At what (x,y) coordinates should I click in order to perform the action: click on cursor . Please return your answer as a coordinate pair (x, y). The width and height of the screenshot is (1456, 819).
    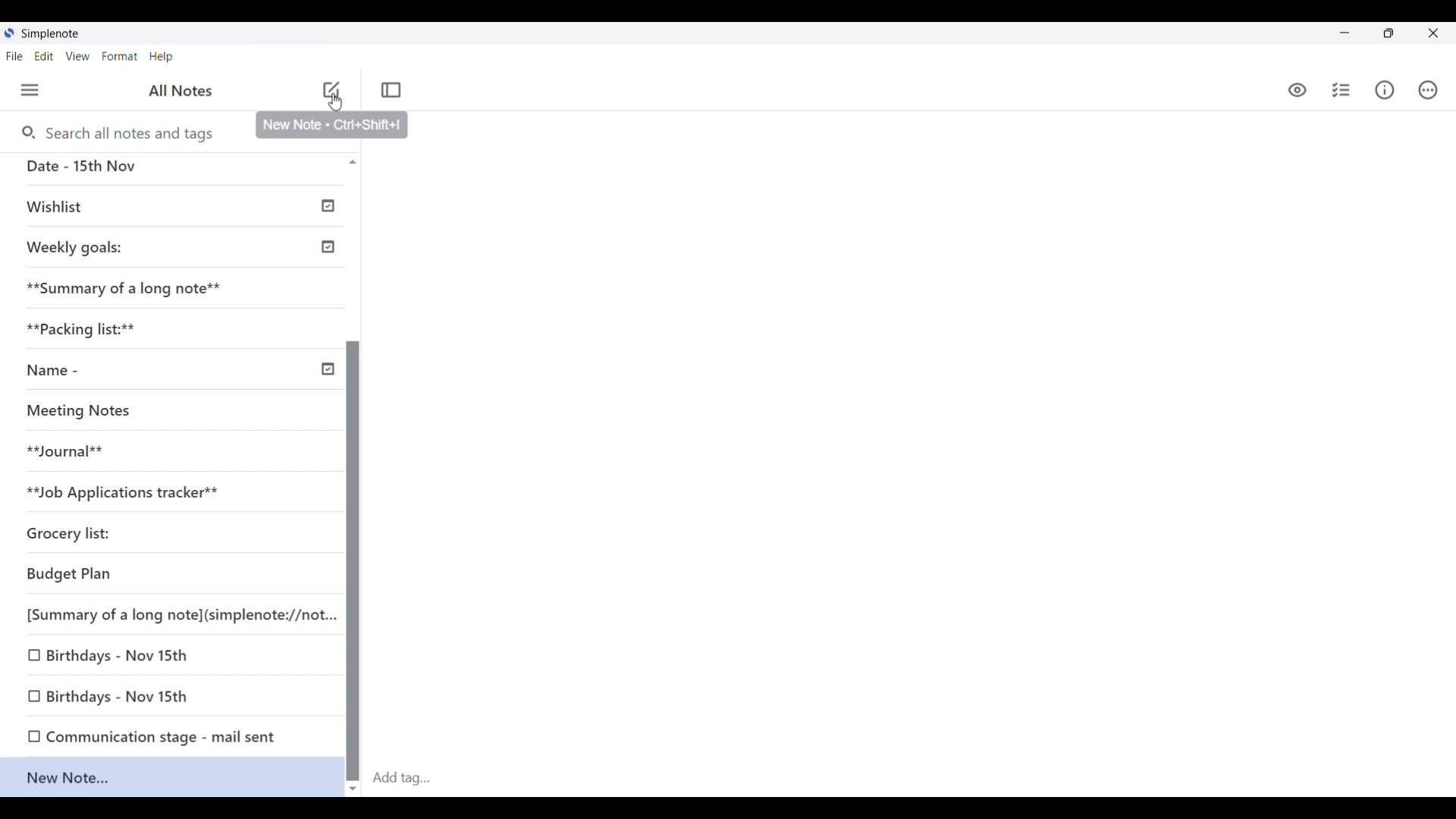
    Looking at the image, I should click on (337, 105).